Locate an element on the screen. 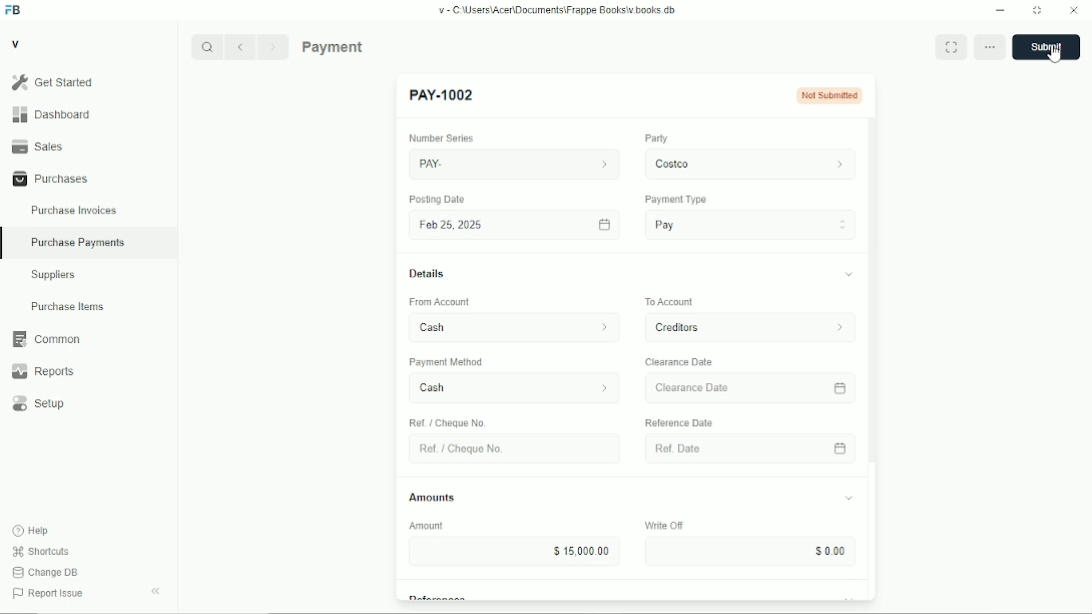  Purchase Payments is located at coordinates (89, 244).